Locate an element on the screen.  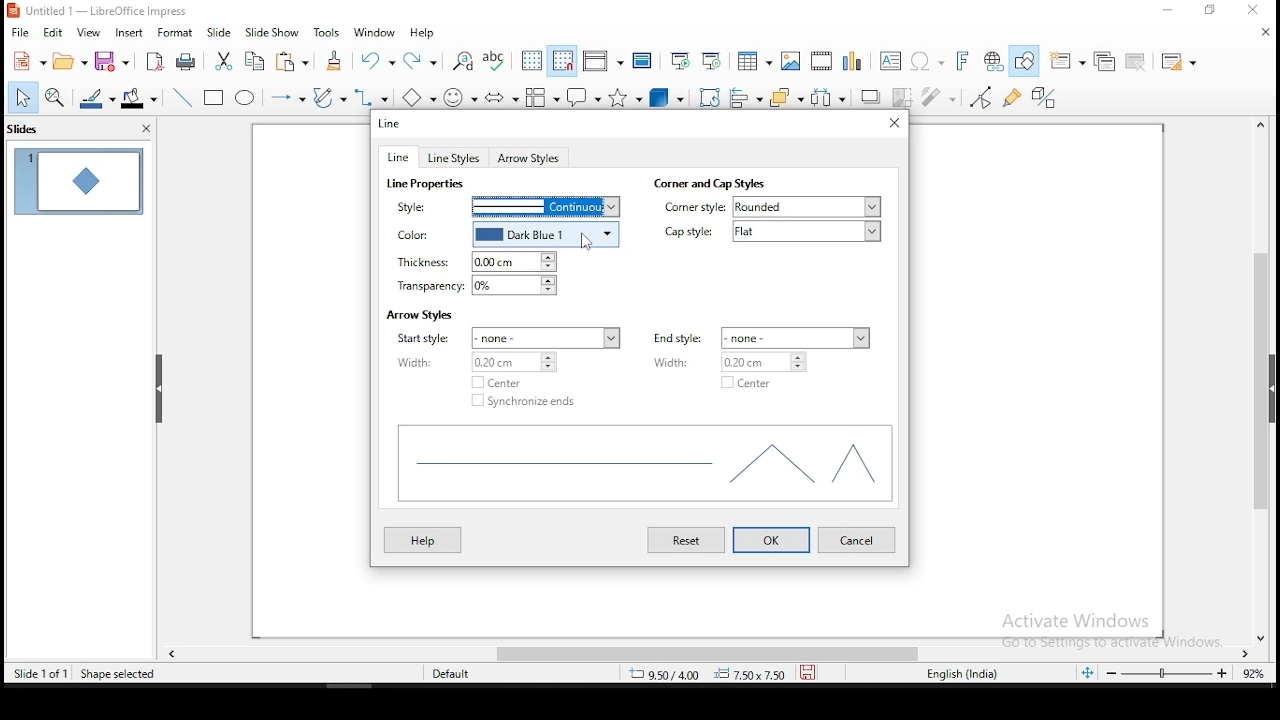
display grid is located at coordinates (532, 61).